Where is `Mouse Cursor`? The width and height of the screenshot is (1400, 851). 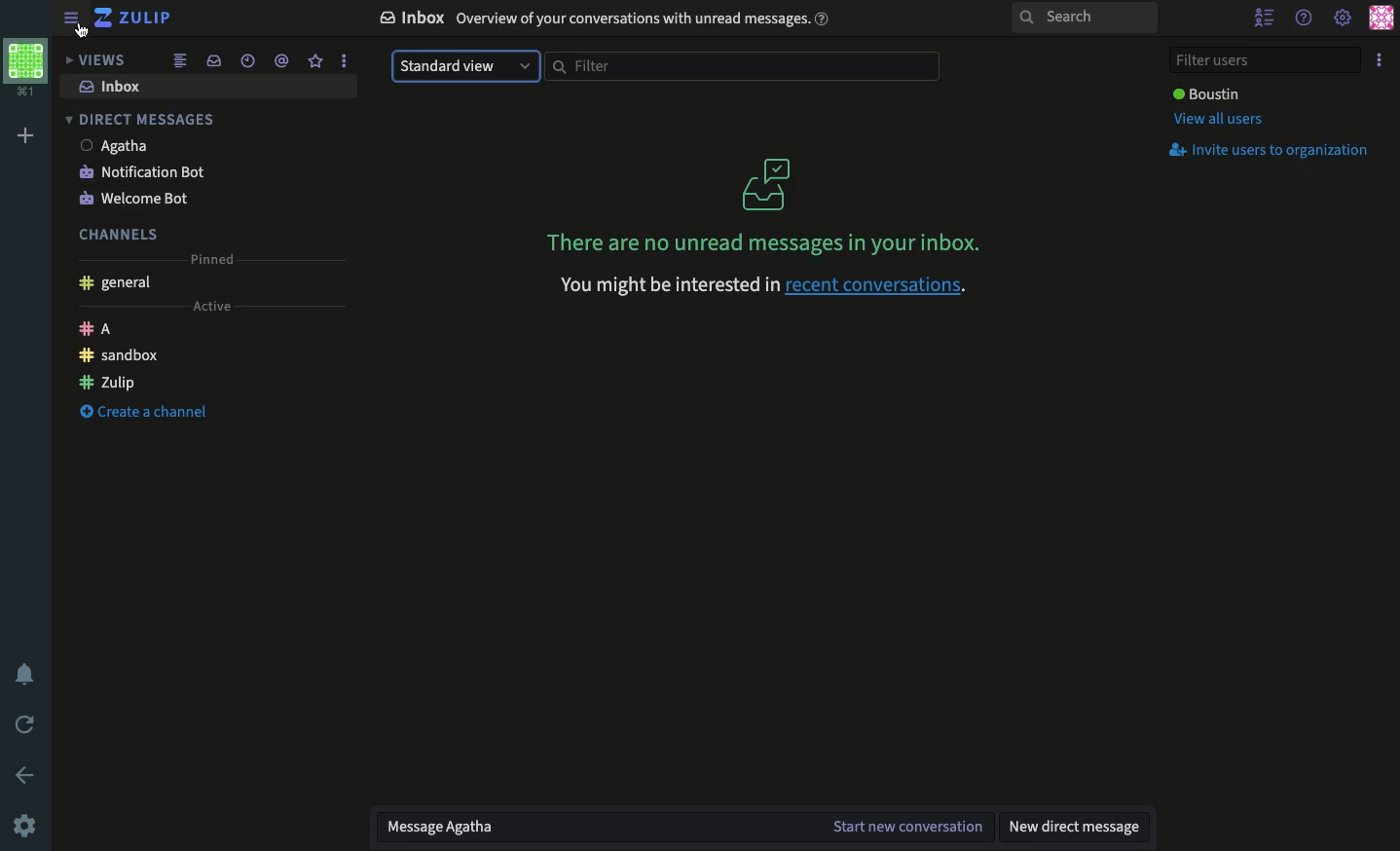
Mouse Cursor is located at coordinates (84, 30).